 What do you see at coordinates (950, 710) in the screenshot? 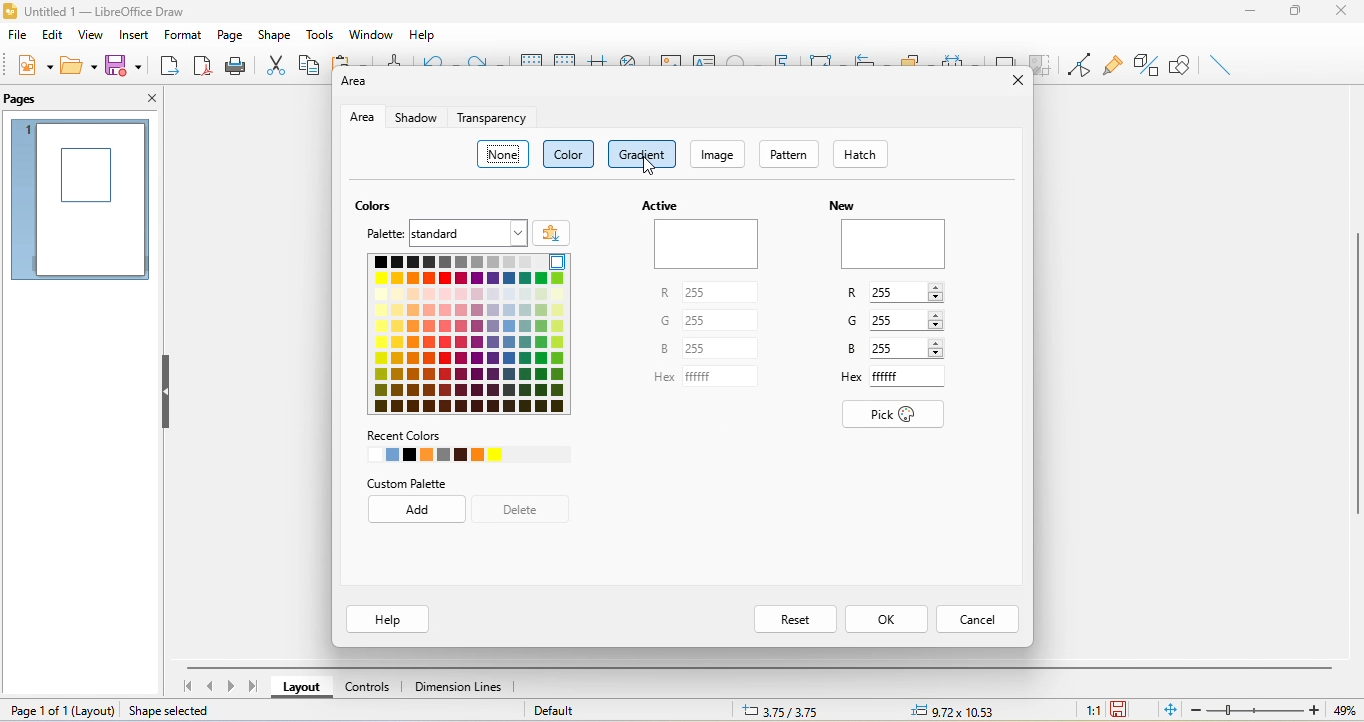
I see `0.00x0.00` at bounding box center [950, 710].